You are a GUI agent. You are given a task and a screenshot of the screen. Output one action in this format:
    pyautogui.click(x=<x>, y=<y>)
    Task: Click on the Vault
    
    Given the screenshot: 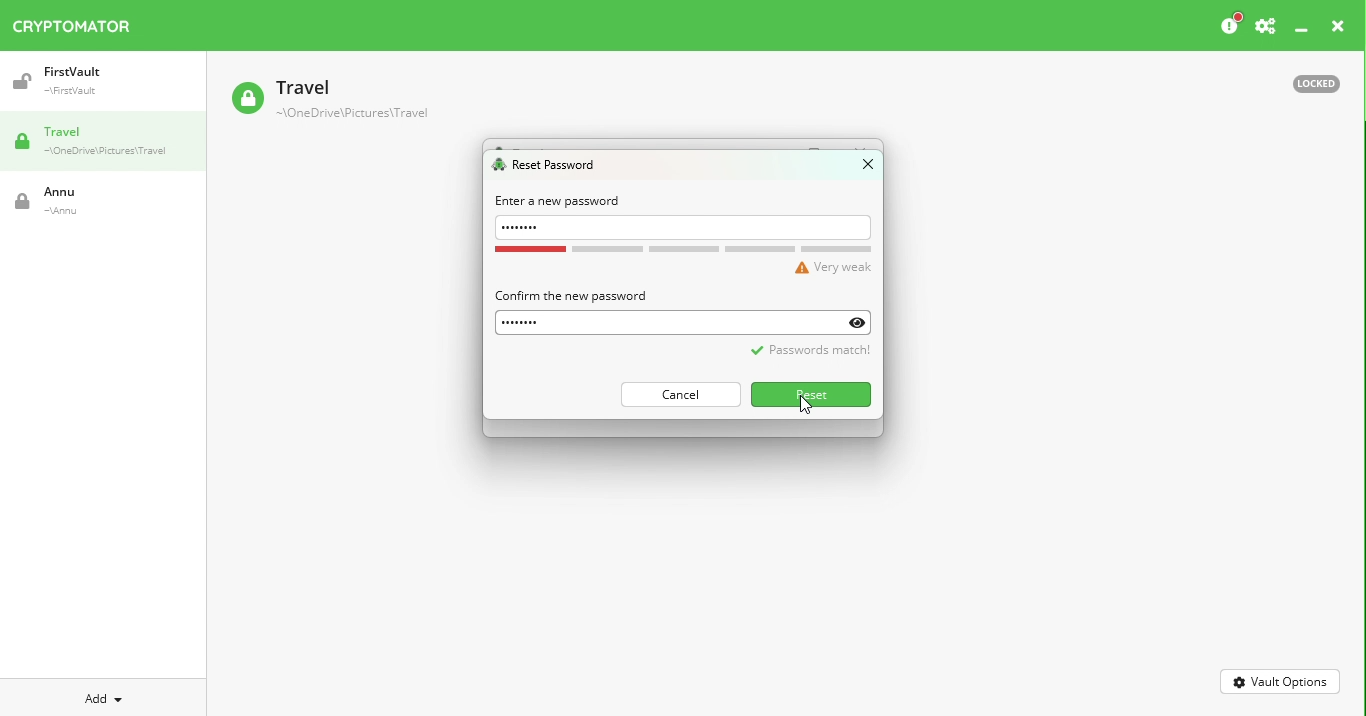 What is the action you would take?
    pyautogui.click(x=329, y=101)
    